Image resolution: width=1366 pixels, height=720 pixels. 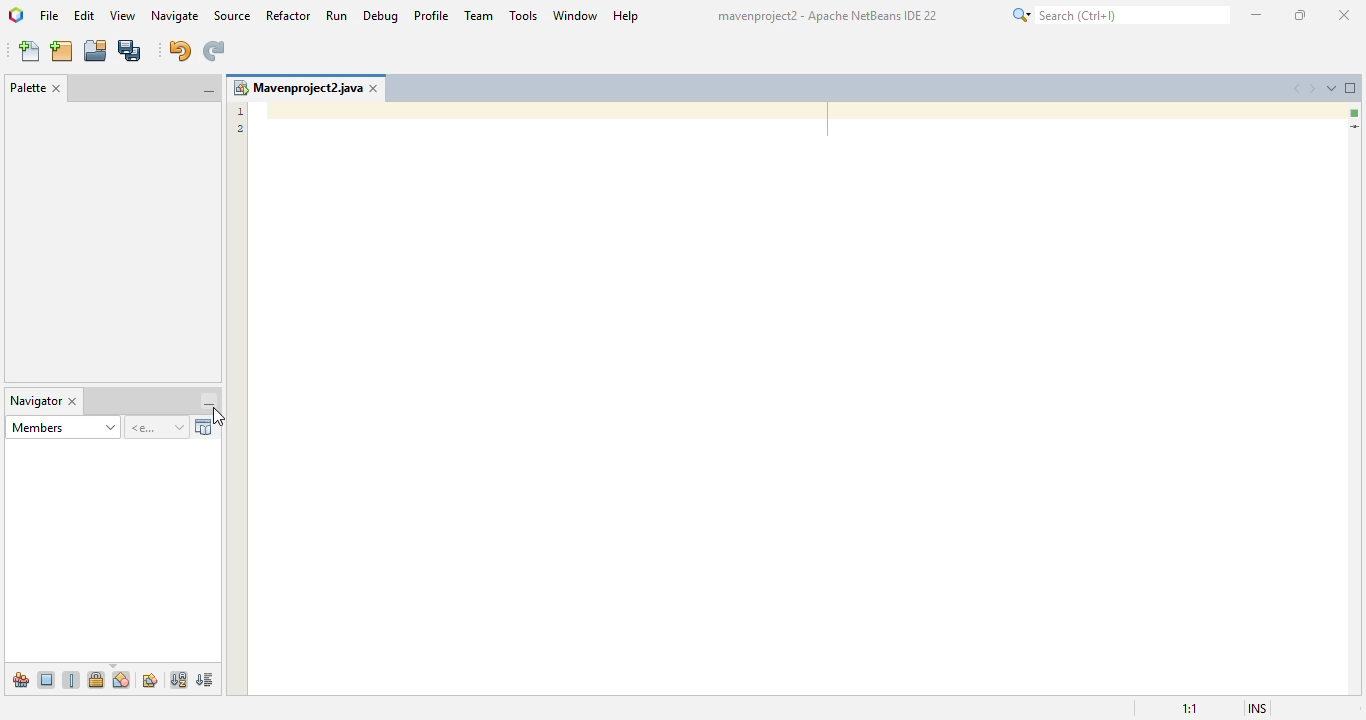 I want to click on scroll documents right, so click(x=1312, y=89).